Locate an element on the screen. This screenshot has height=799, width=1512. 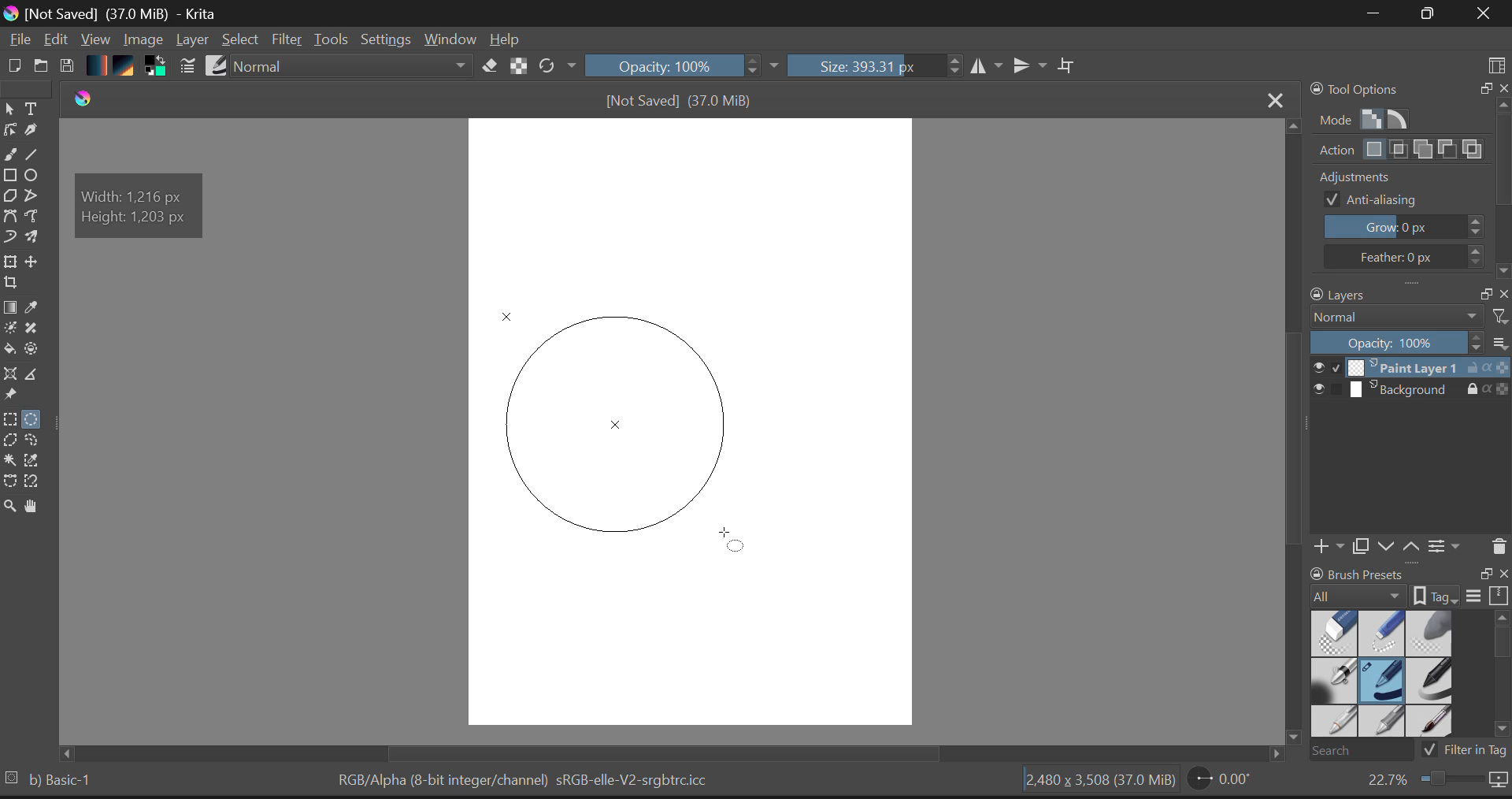
Pan is located at coordinates (35, 507).